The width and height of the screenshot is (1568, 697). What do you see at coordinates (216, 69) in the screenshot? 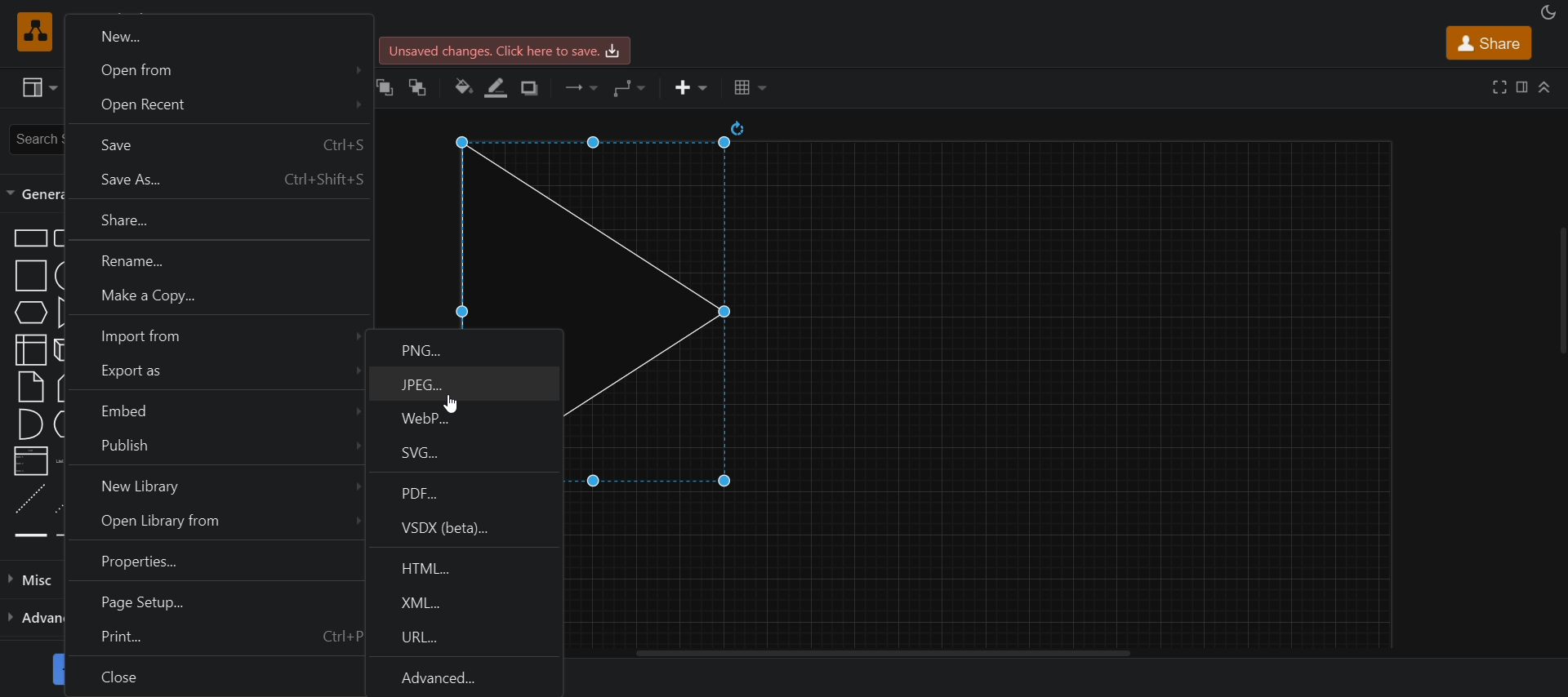
I see `open from` at bounding box center [216, 69].